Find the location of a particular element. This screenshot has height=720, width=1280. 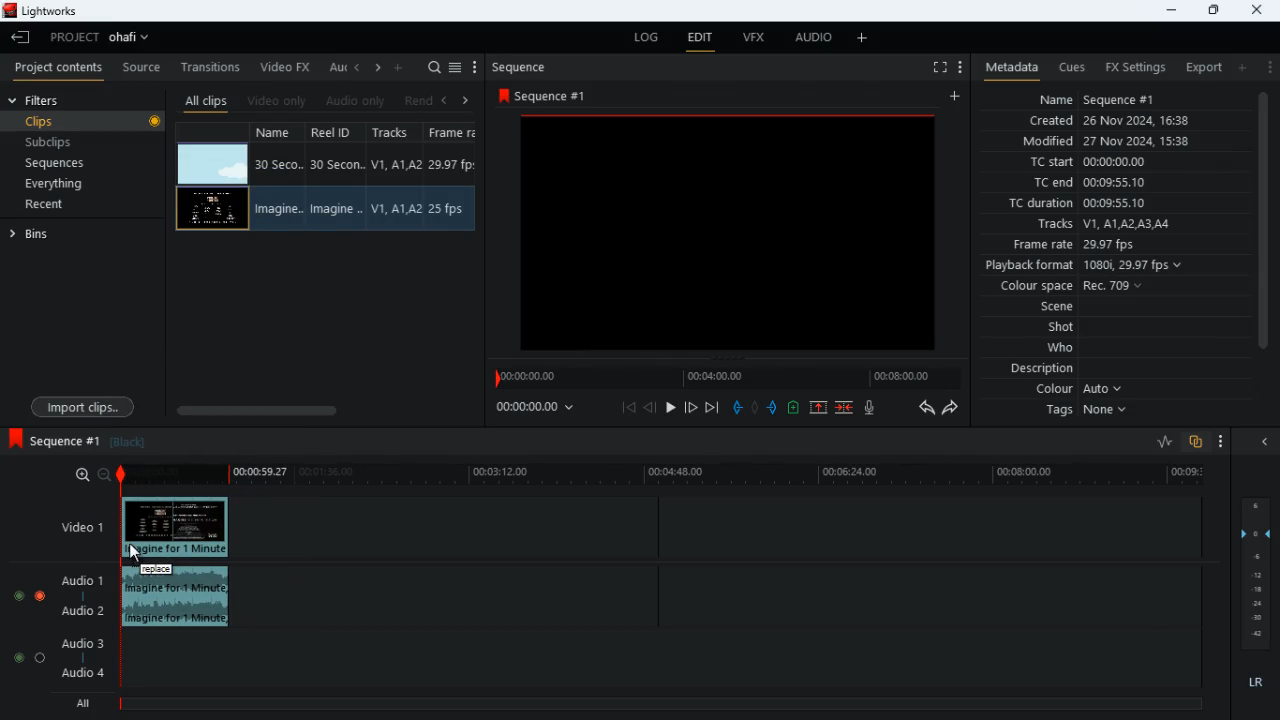

video fx is located at coordinates (287, 66).